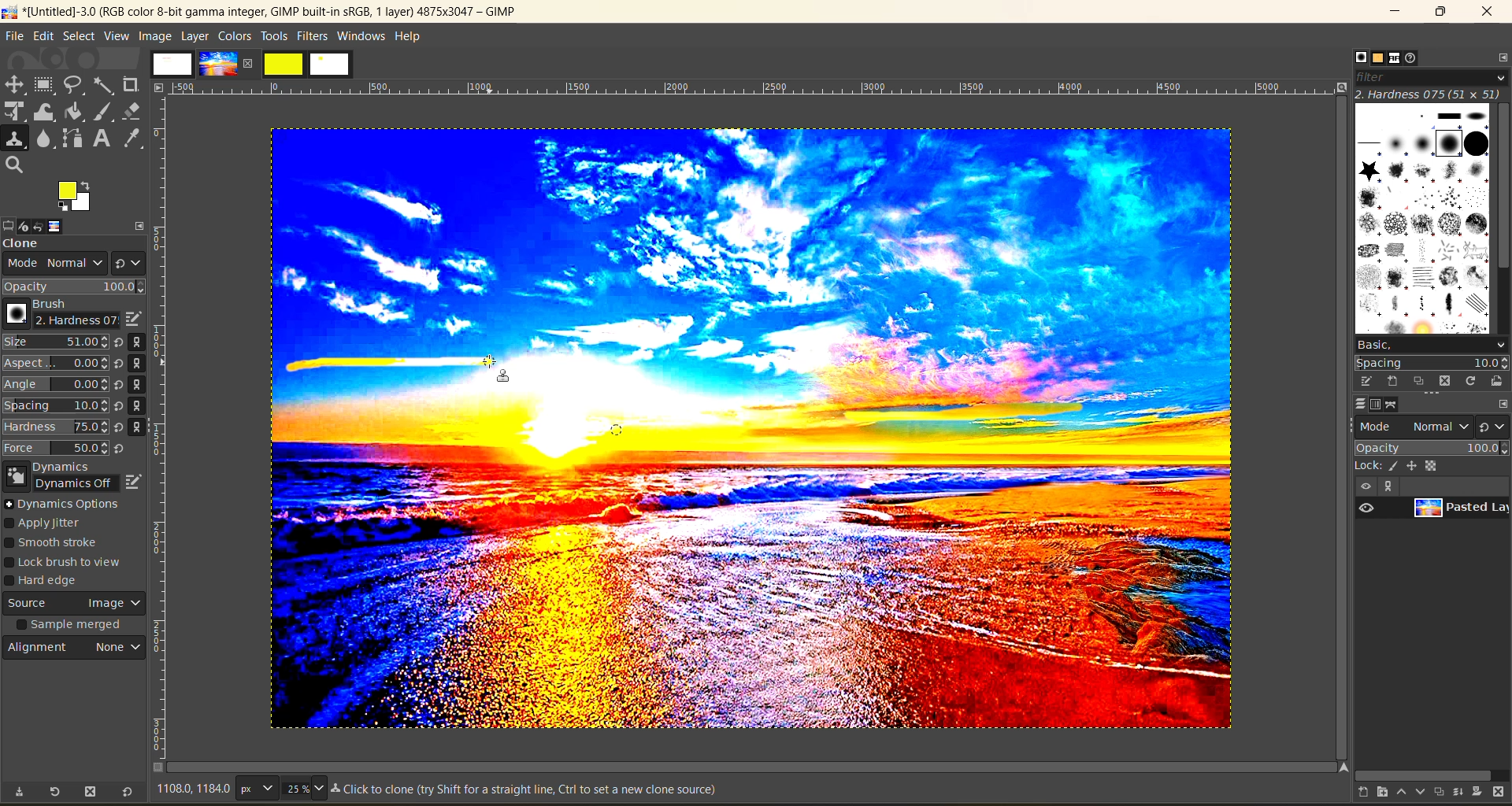 This screenshot has width=1512, height=806. Describe the element at coordinates (126, 793) in the screenshot. I see `reset to default values` at that location.